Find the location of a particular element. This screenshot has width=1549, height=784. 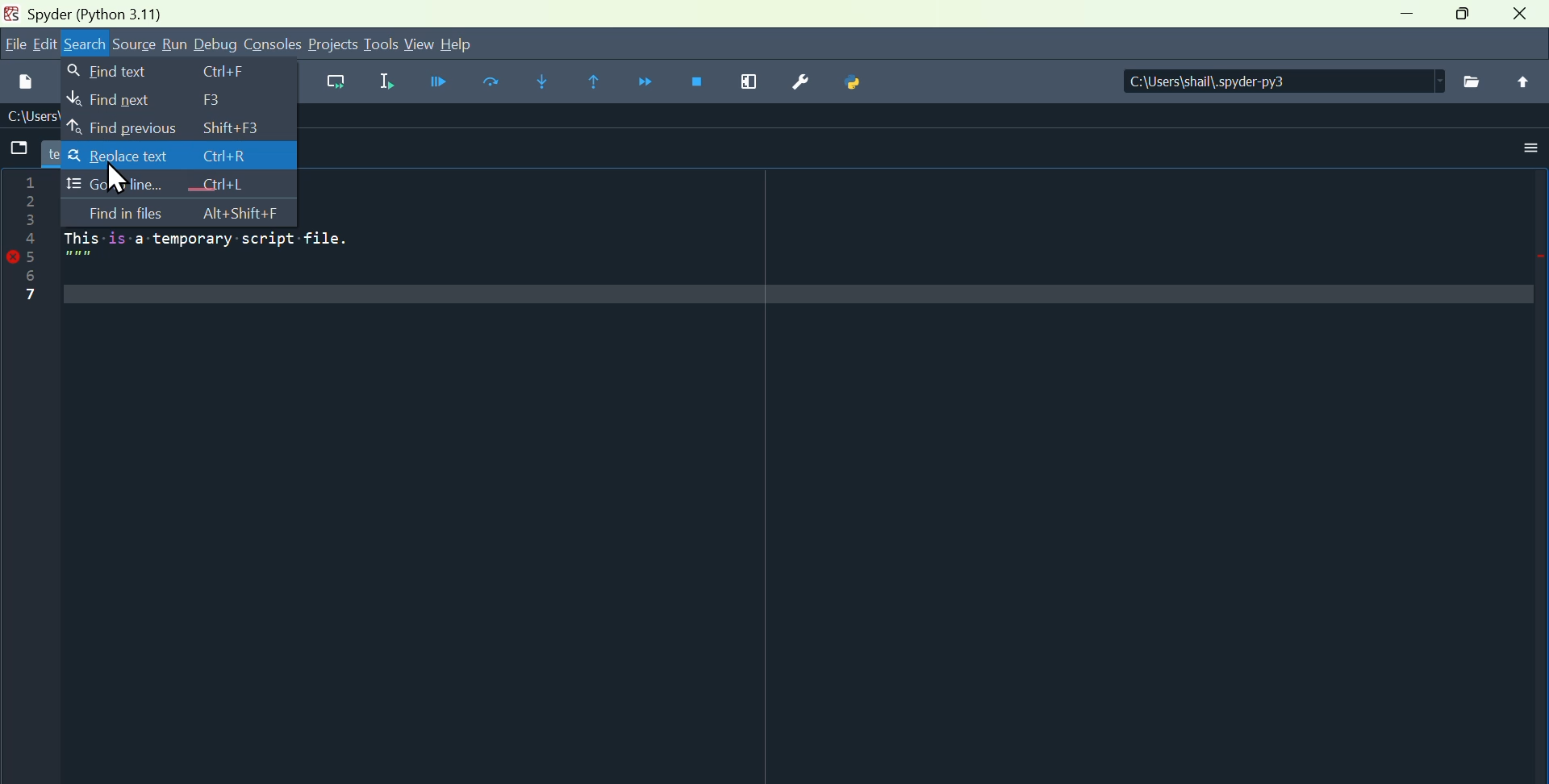

cursor on replace text is located at coordinates (122, 181).